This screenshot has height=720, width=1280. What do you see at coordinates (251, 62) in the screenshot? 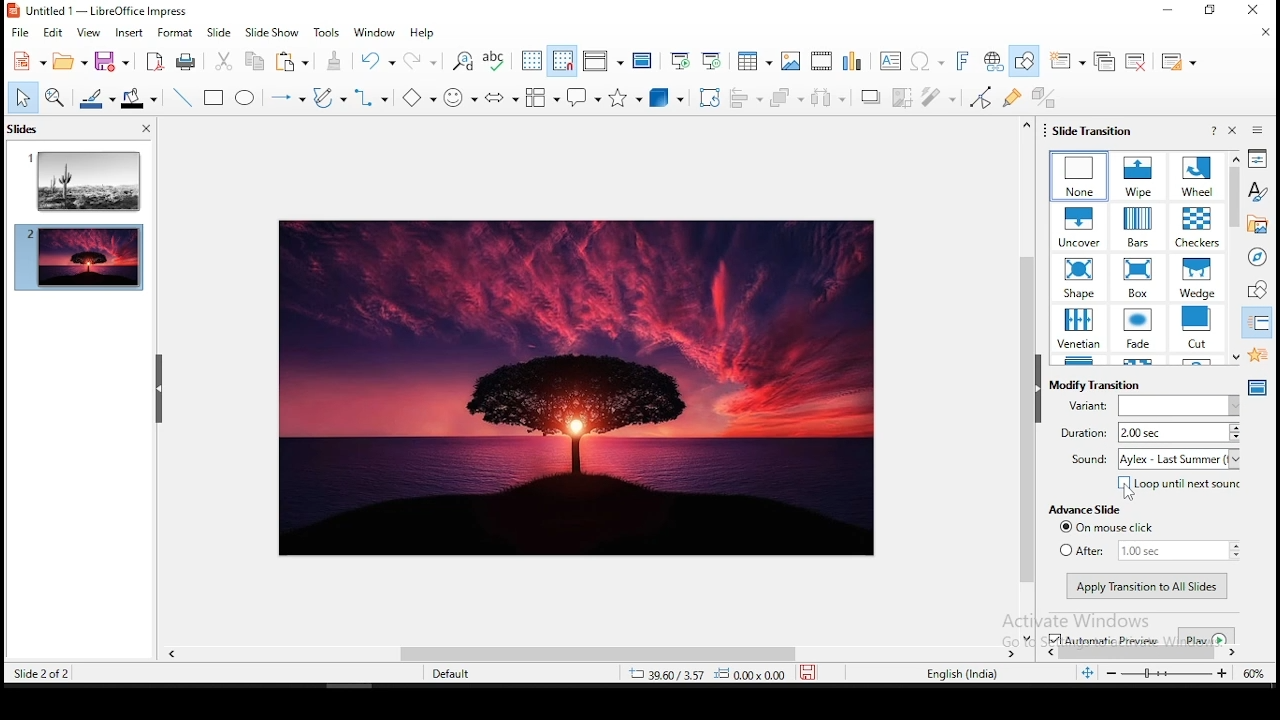
I see `copy` at bounding box center [251, 62].